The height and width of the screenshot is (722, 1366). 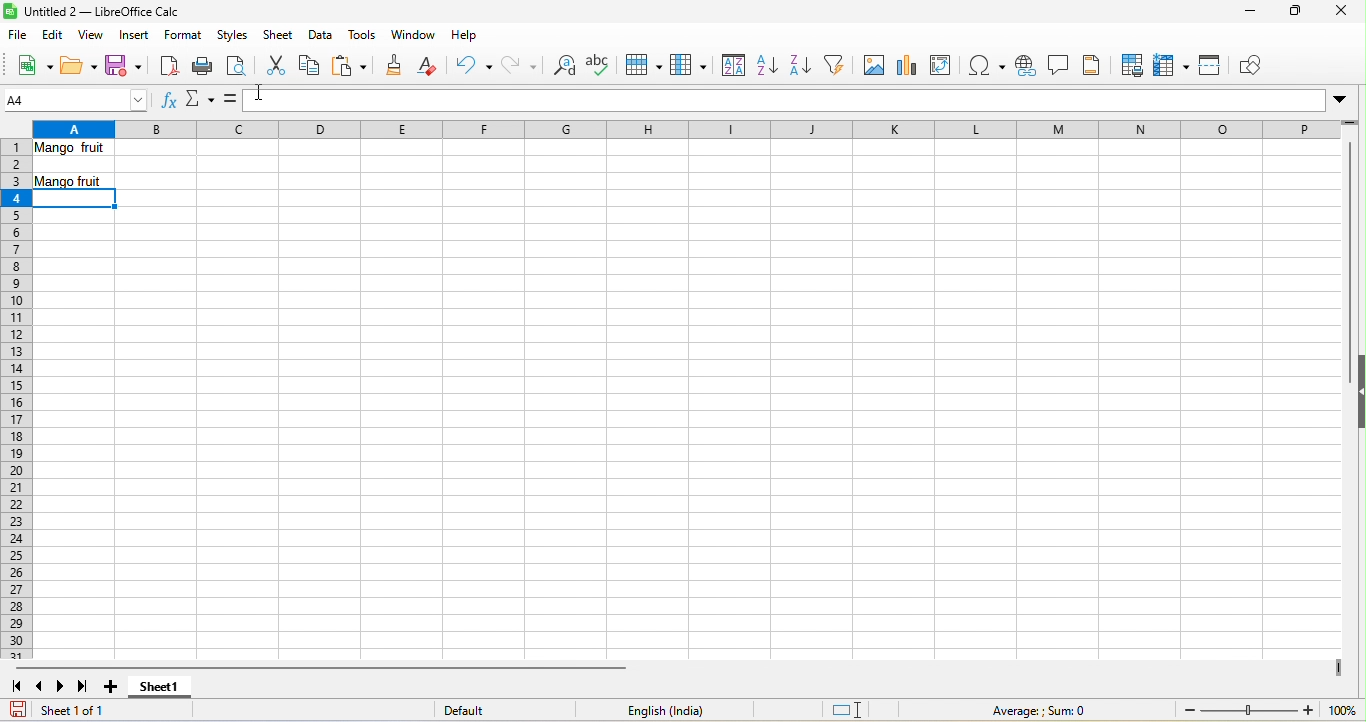 What do you see at coordinates (1348, 244) in the screenshot?
I see `vertical scroll bar` at bounding box center [1348, 244].